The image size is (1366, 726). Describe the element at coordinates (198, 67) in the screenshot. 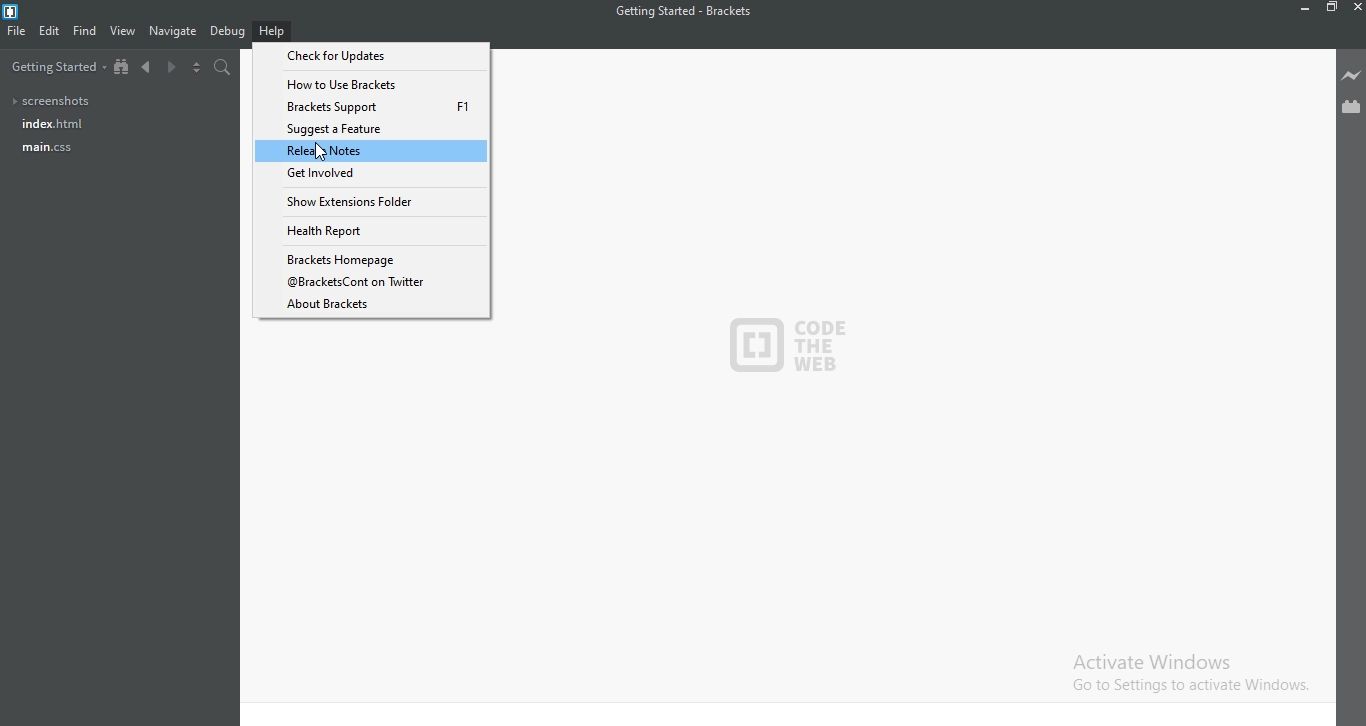

I see `Split the editor vertically or horizontally` at that location.